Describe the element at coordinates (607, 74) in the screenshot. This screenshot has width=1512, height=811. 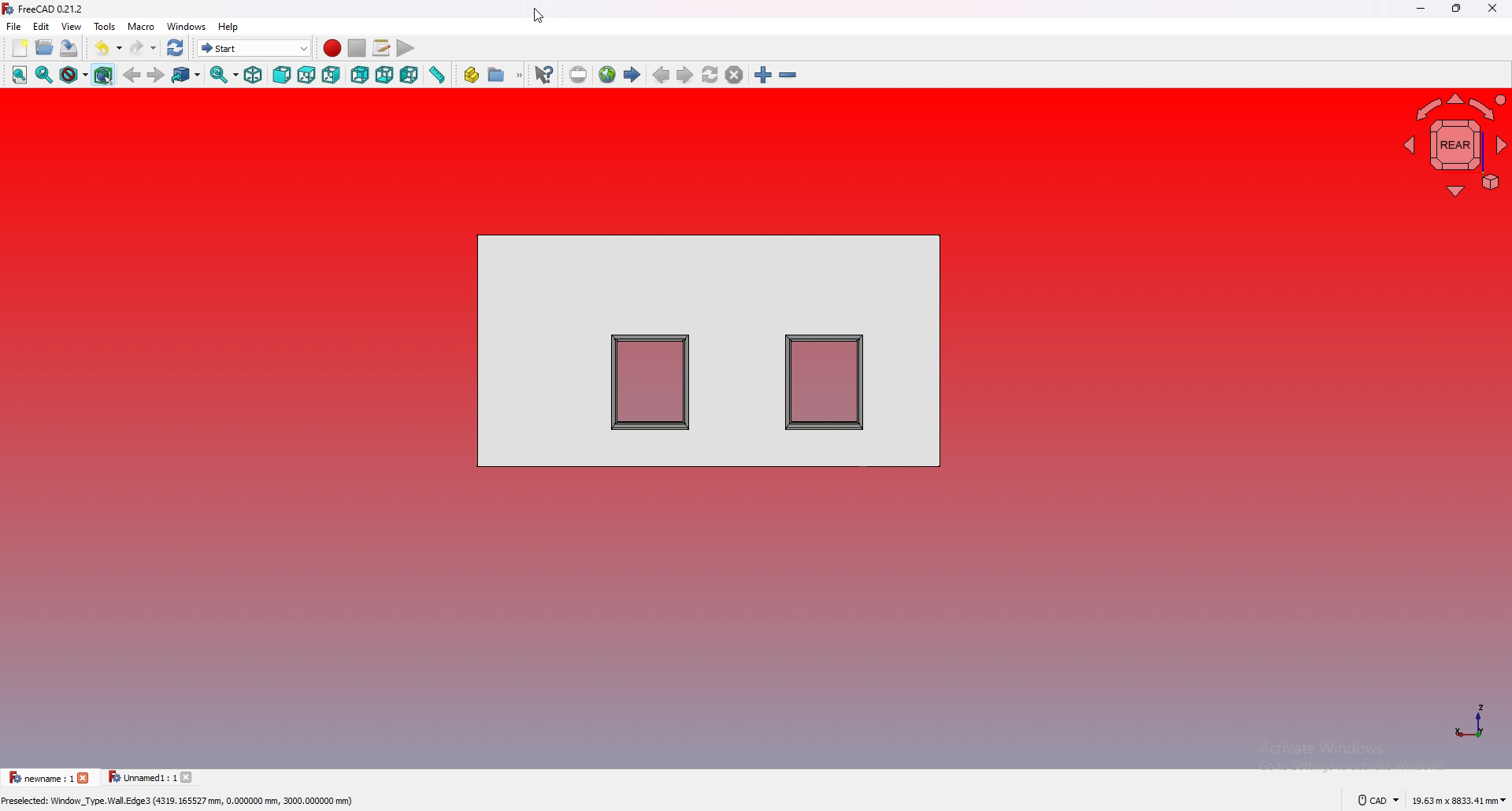
I see `open website` at that location.